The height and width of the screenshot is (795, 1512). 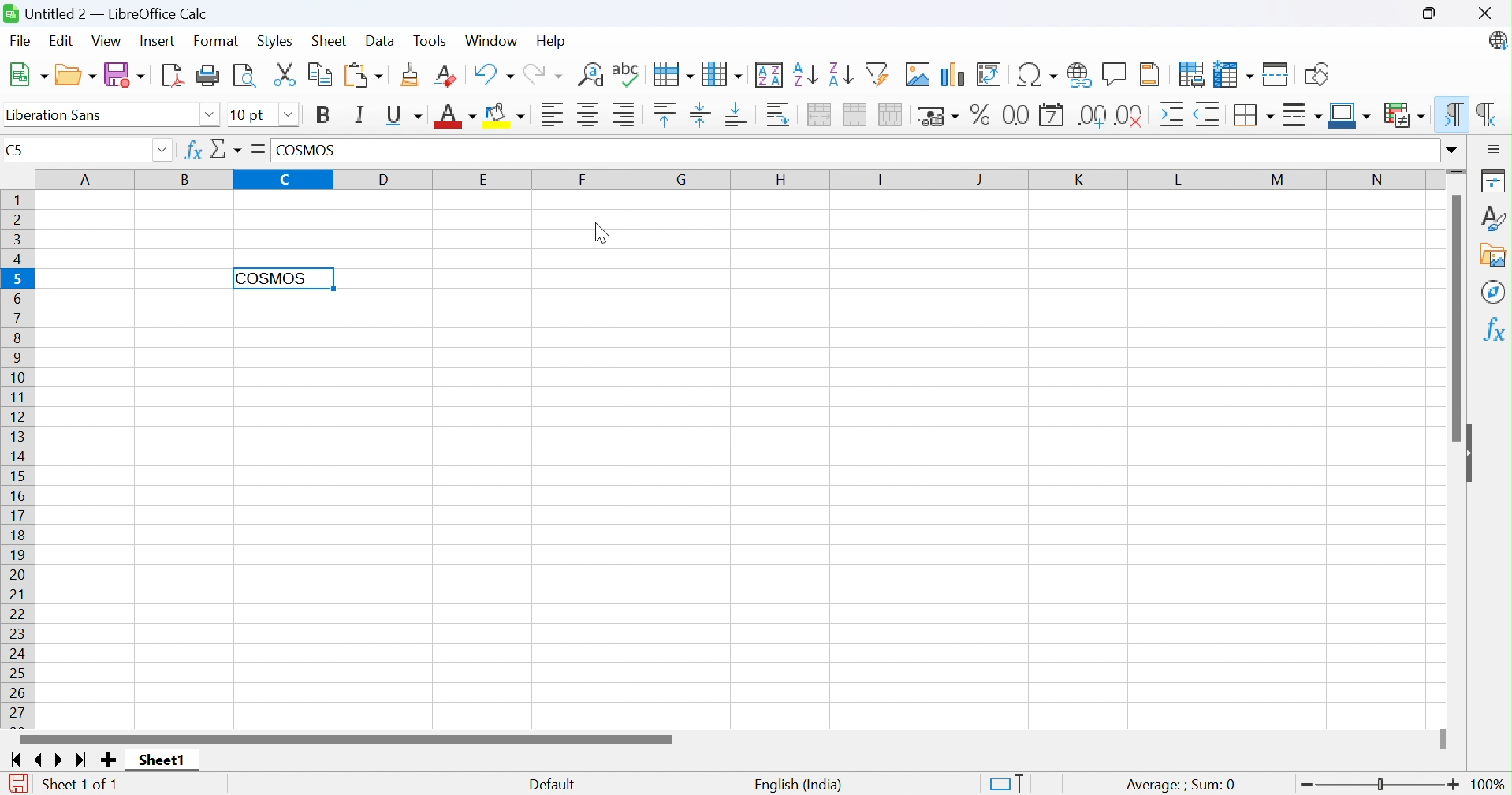 What do you see at coordinates (277, 280) in the screenshot?
I see `Text converted to uppercase` at bounding box center [277, 280].